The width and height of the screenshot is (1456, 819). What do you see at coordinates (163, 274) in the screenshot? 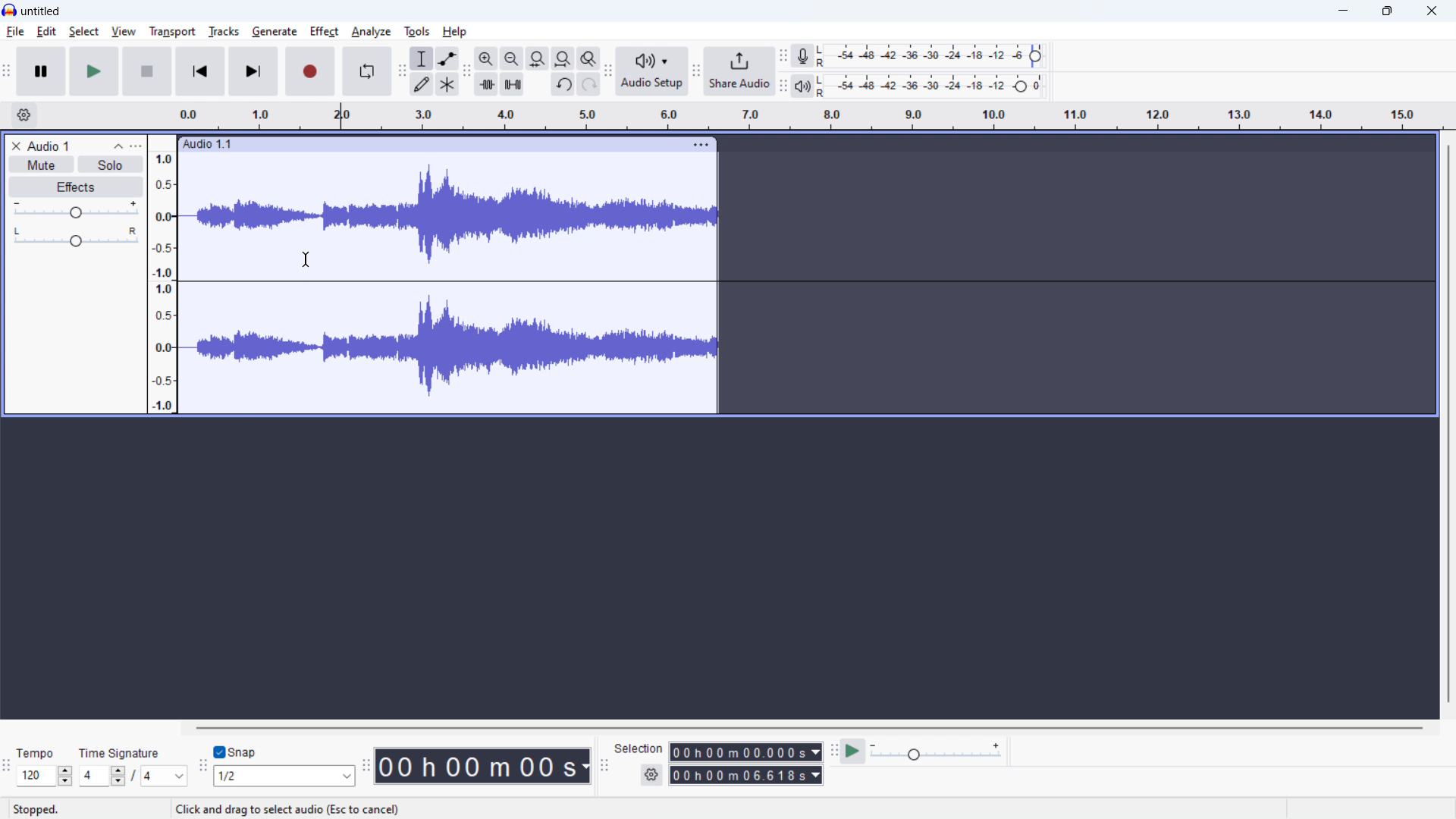
I see `amplitude` at bounding box center [163, 274].